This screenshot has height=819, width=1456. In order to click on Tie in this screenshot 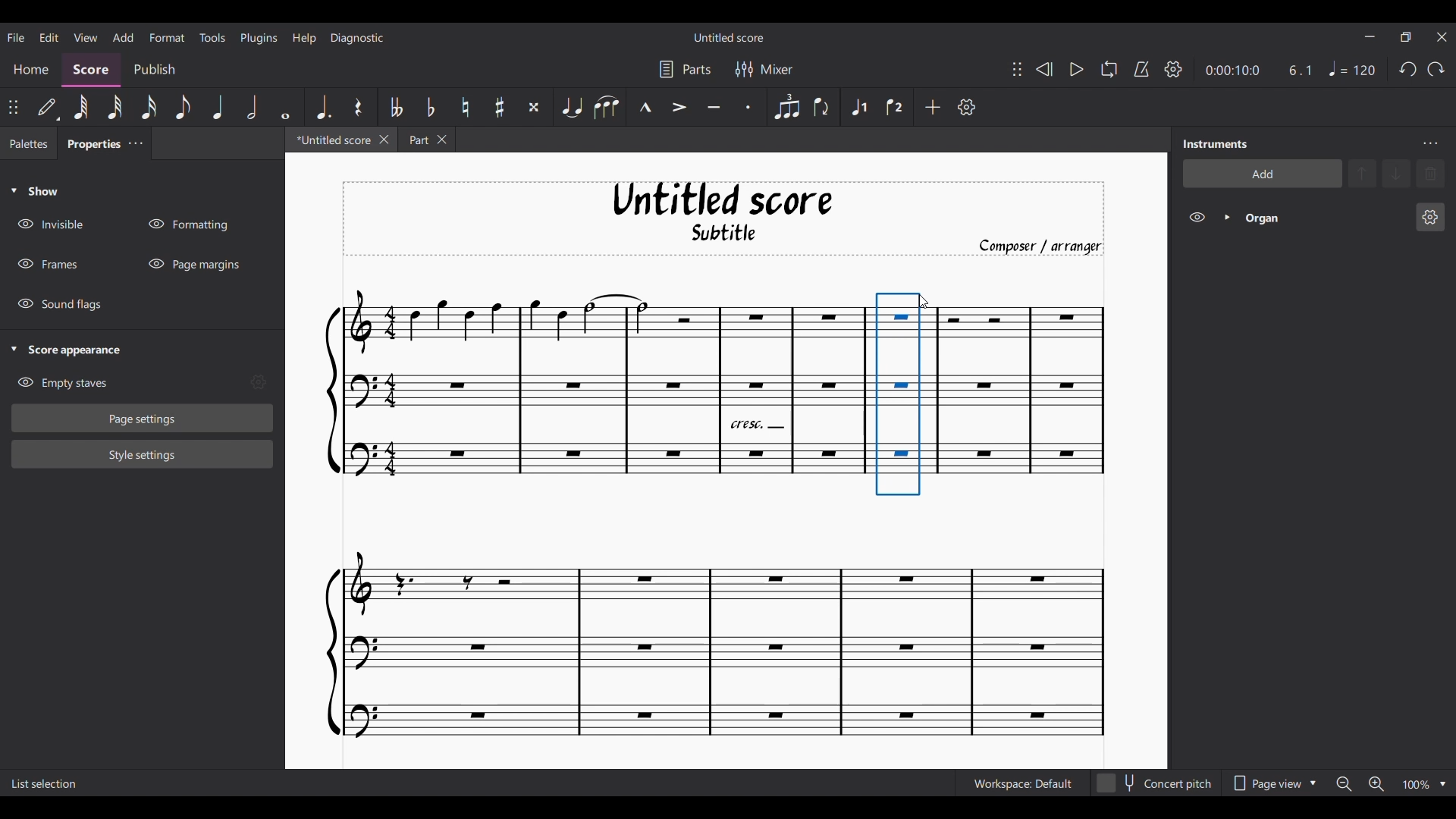, I will do `click(571, 107)`.